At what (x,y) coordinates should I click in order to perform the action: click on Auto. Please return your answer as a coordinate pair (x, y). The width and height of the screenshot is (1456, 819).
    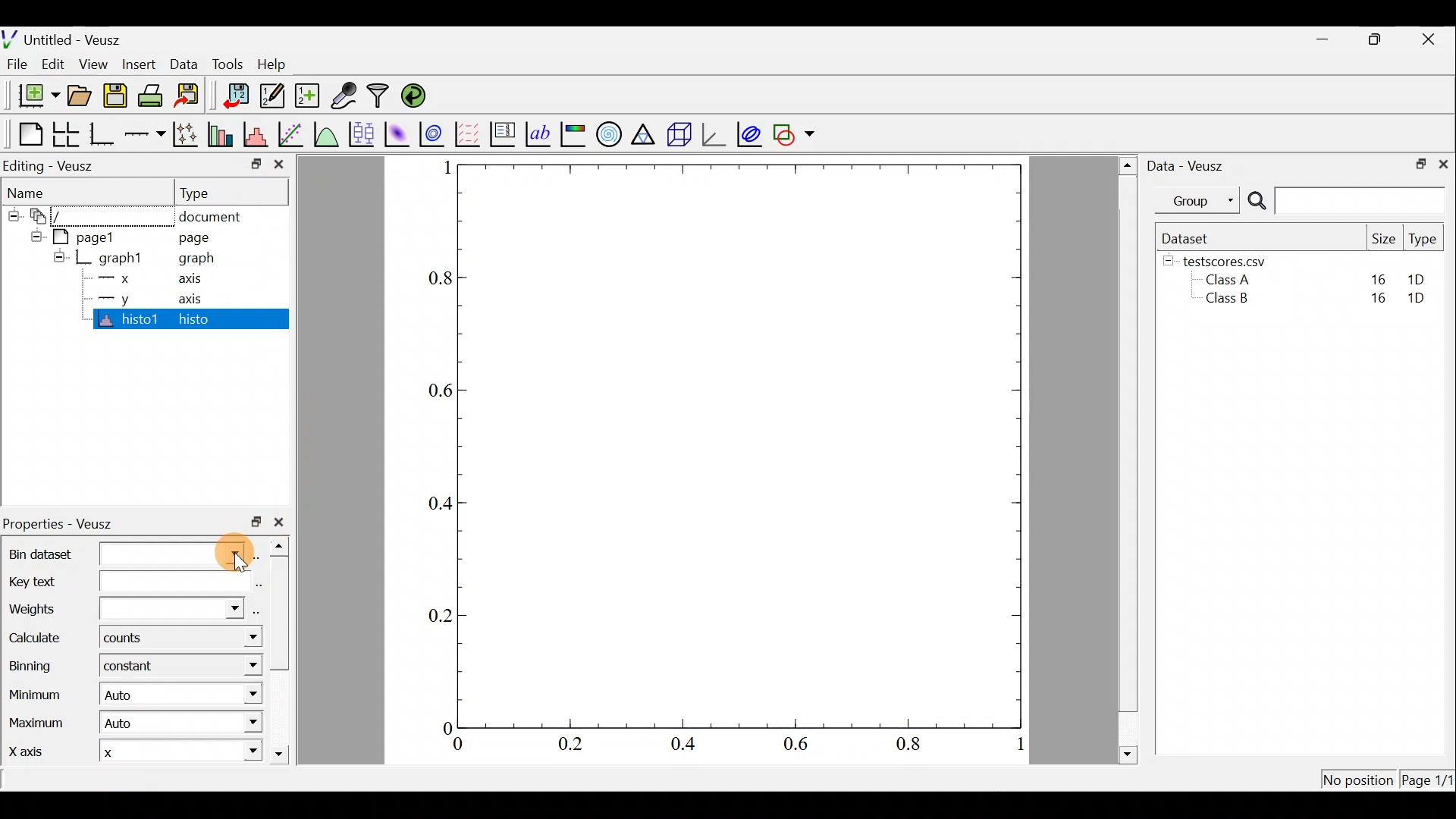
    Looking at the image, I should click on (140, 725).